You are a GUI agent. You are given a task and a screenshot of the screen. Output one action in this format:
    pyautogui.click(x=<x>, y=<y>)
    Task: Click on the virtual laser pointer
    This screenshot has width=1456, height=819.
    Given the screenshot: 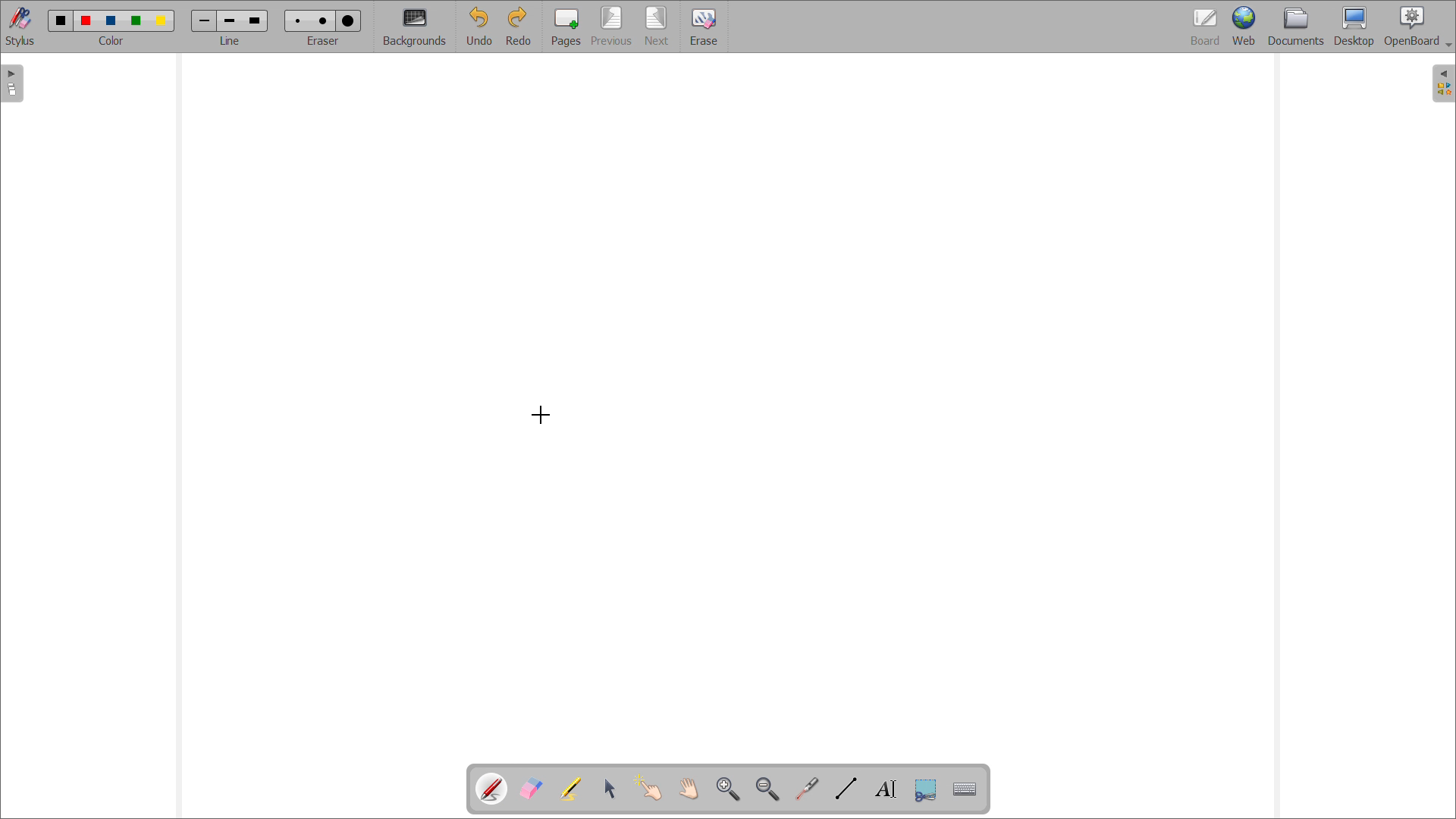 What is the action you would take?
    pyautogui.click(x=808, y=787)
    